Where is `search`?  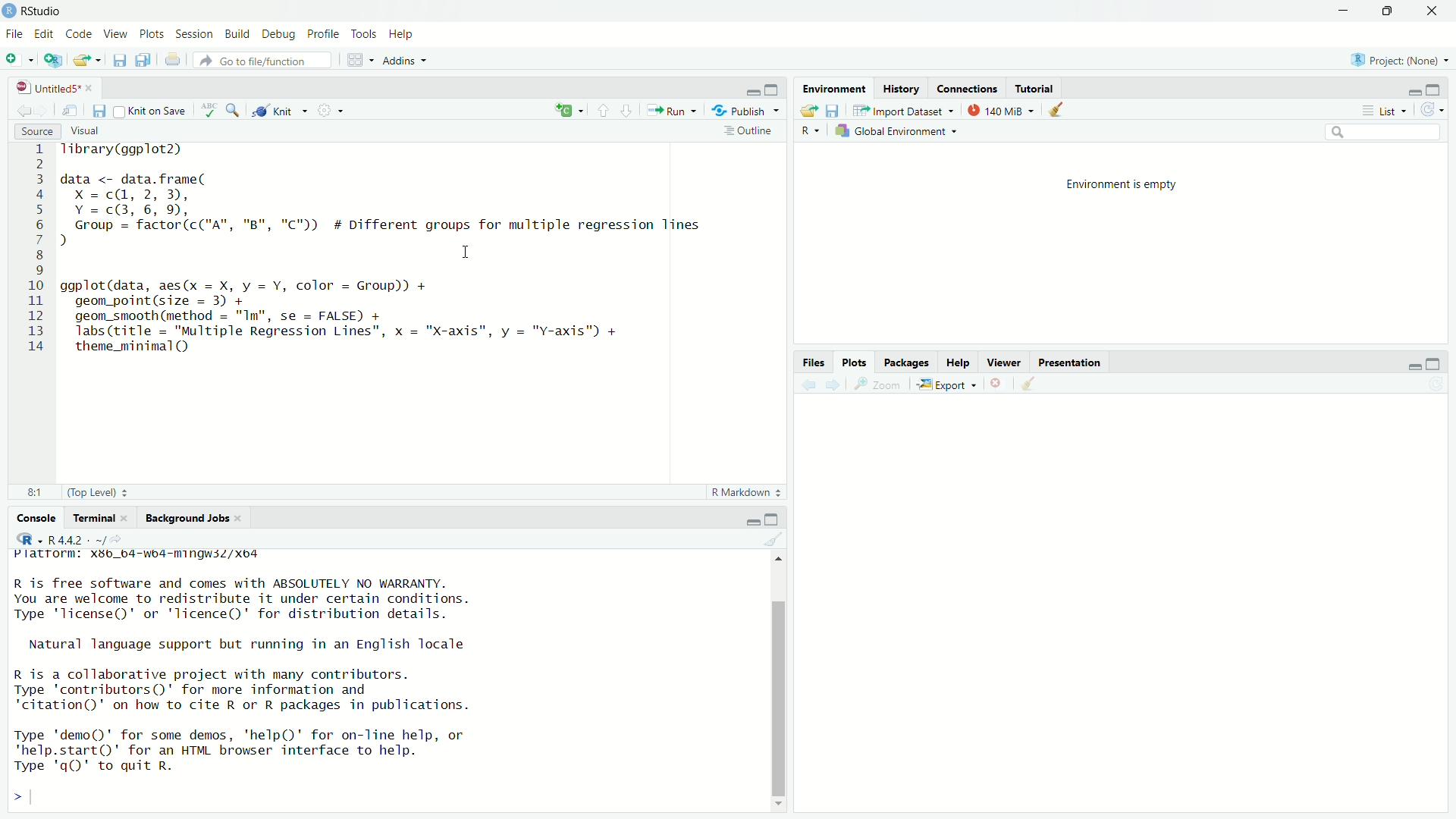 search is located at coordinates (1392, 131).